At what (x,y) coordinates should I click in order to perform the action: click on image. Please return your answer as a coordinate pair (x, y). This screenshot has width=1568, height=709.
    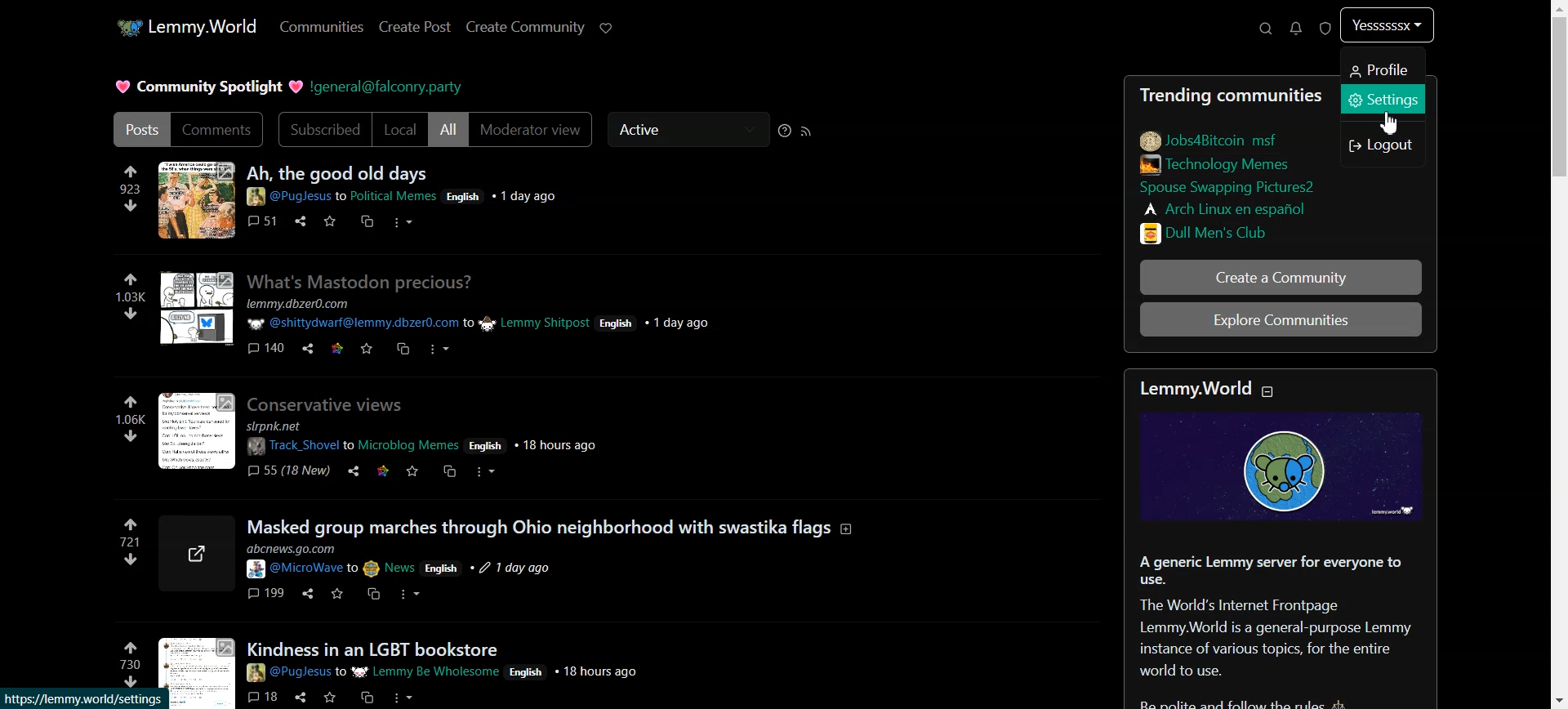
    Looking at the image, I should click on (194, 555).